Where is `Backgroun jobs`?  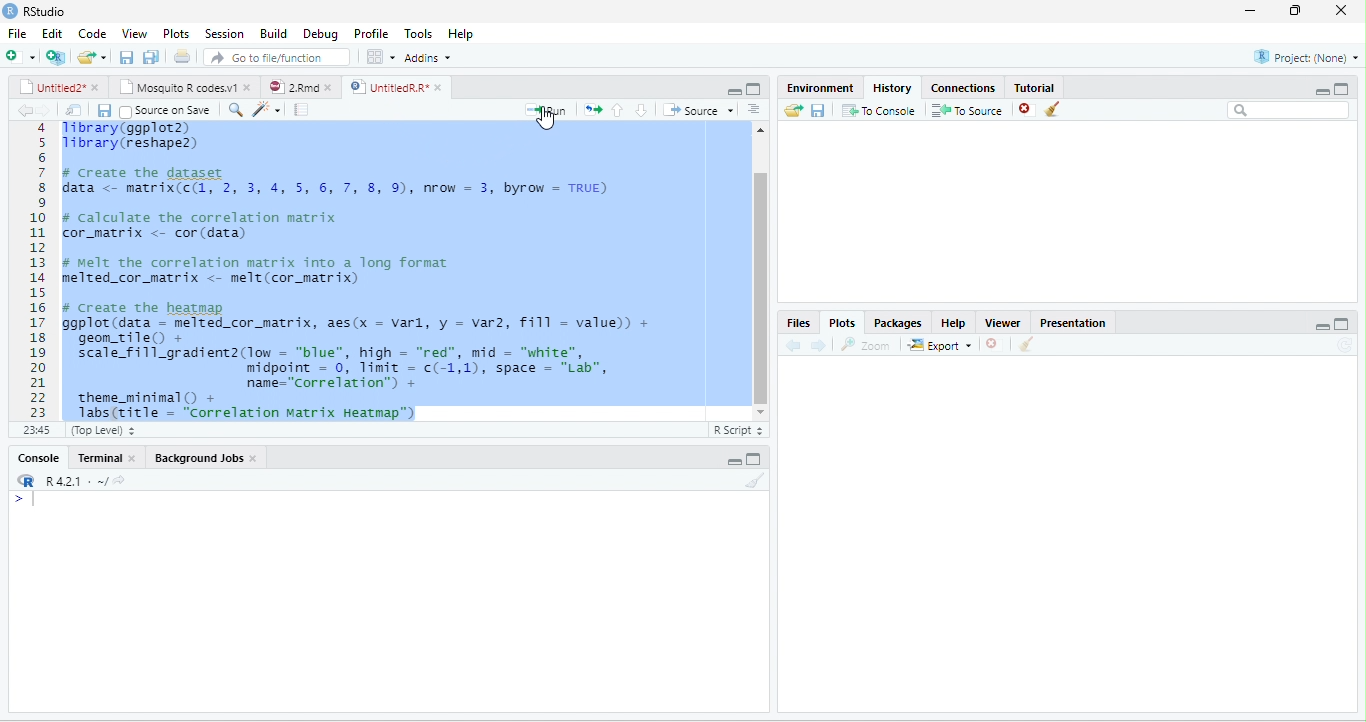
Backgroun jobs is located at coordinates (217, 458).